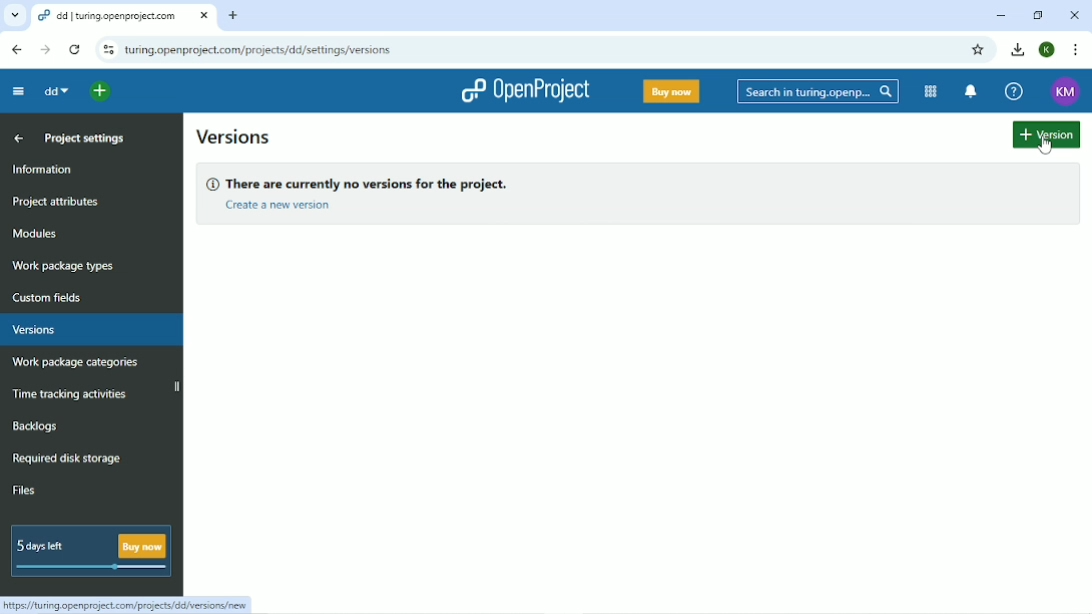 This screenshot has width=1092, height=614. What do you see at coordinates (239, 136) in the screenshot?
I see `Versions` at bounding box center [239, 136].